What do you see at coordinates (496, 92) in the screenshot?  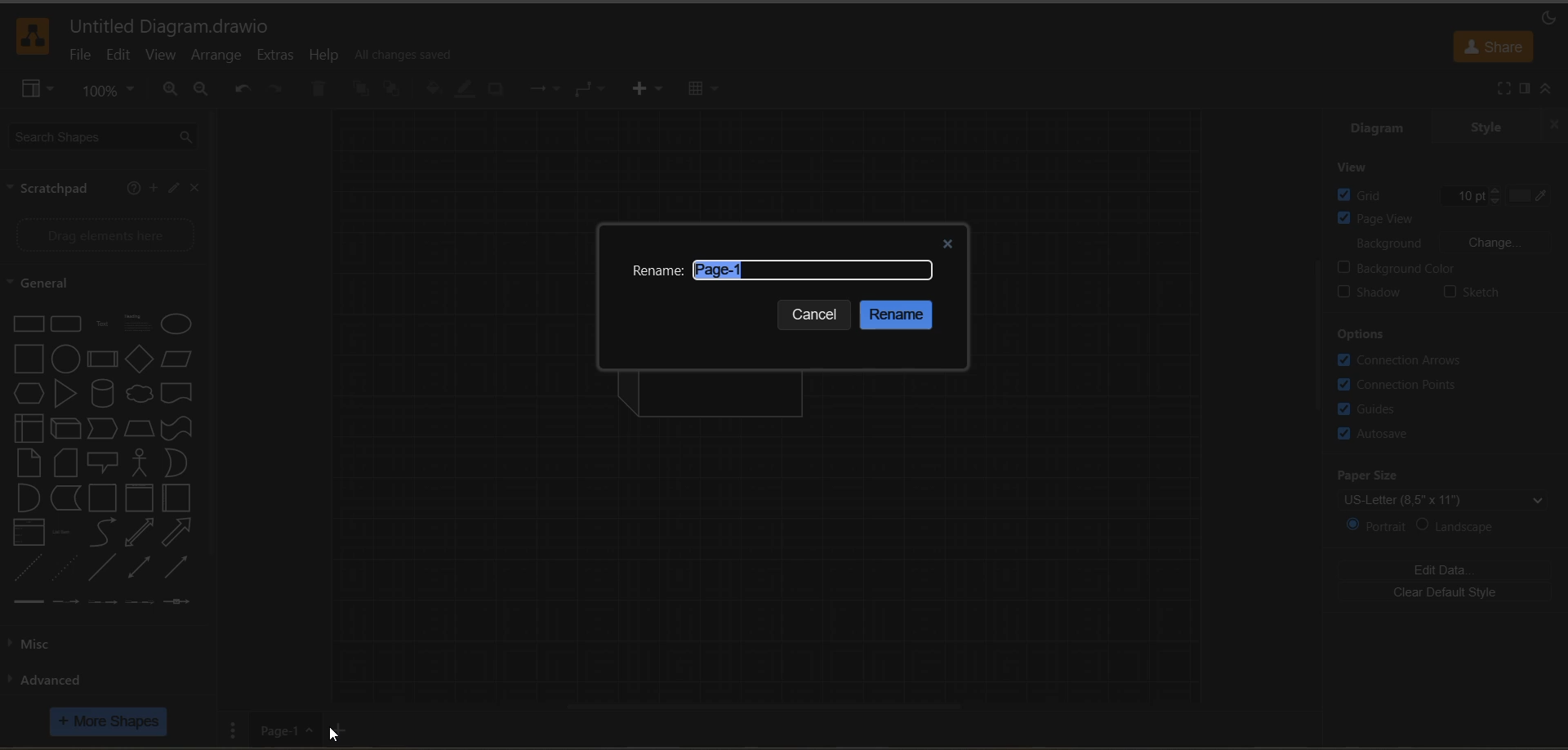 I see `shadow` at bounding box center [496, 92].